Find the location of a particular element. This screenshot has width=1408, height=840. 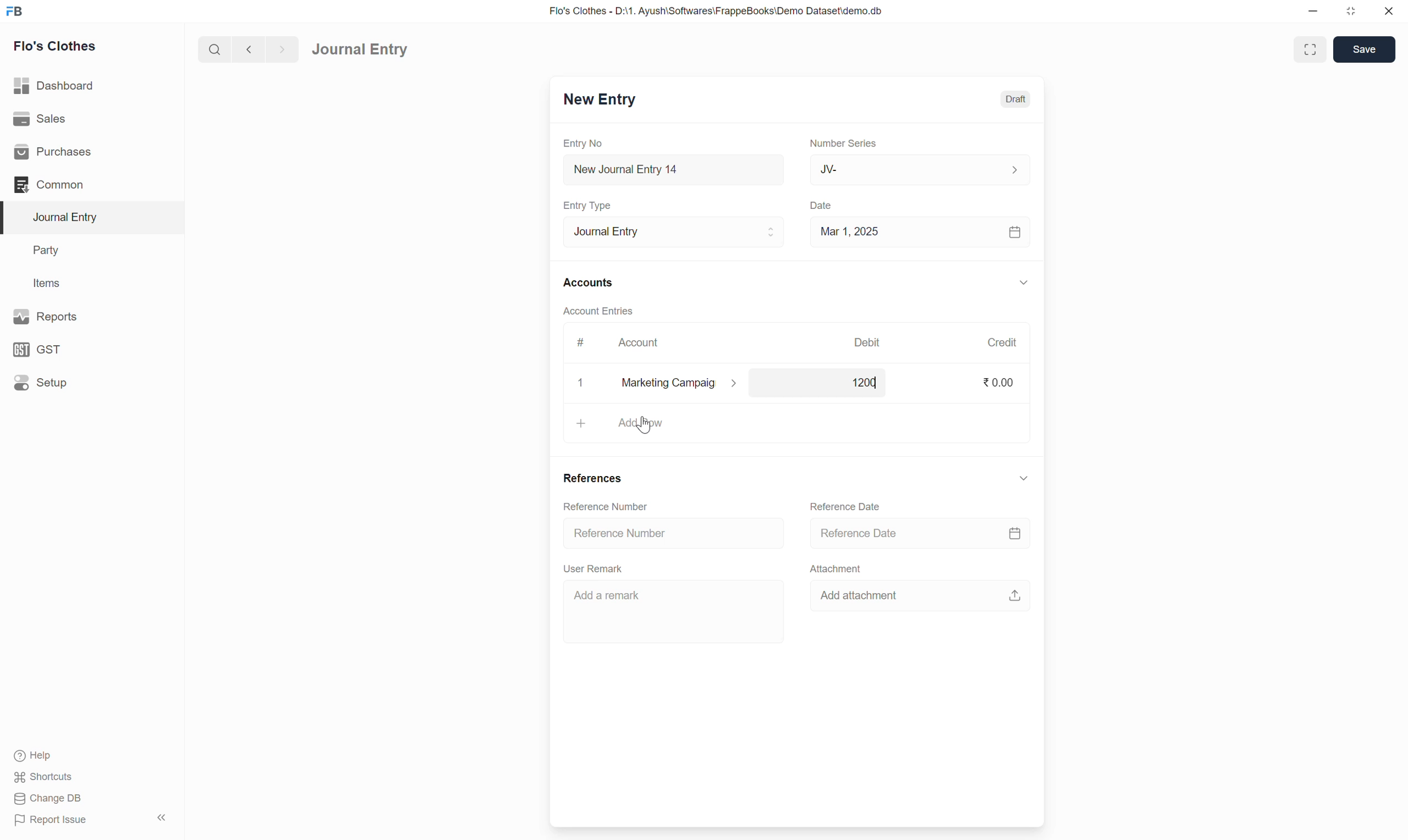

New Entry is located at coordinates (600, 98).